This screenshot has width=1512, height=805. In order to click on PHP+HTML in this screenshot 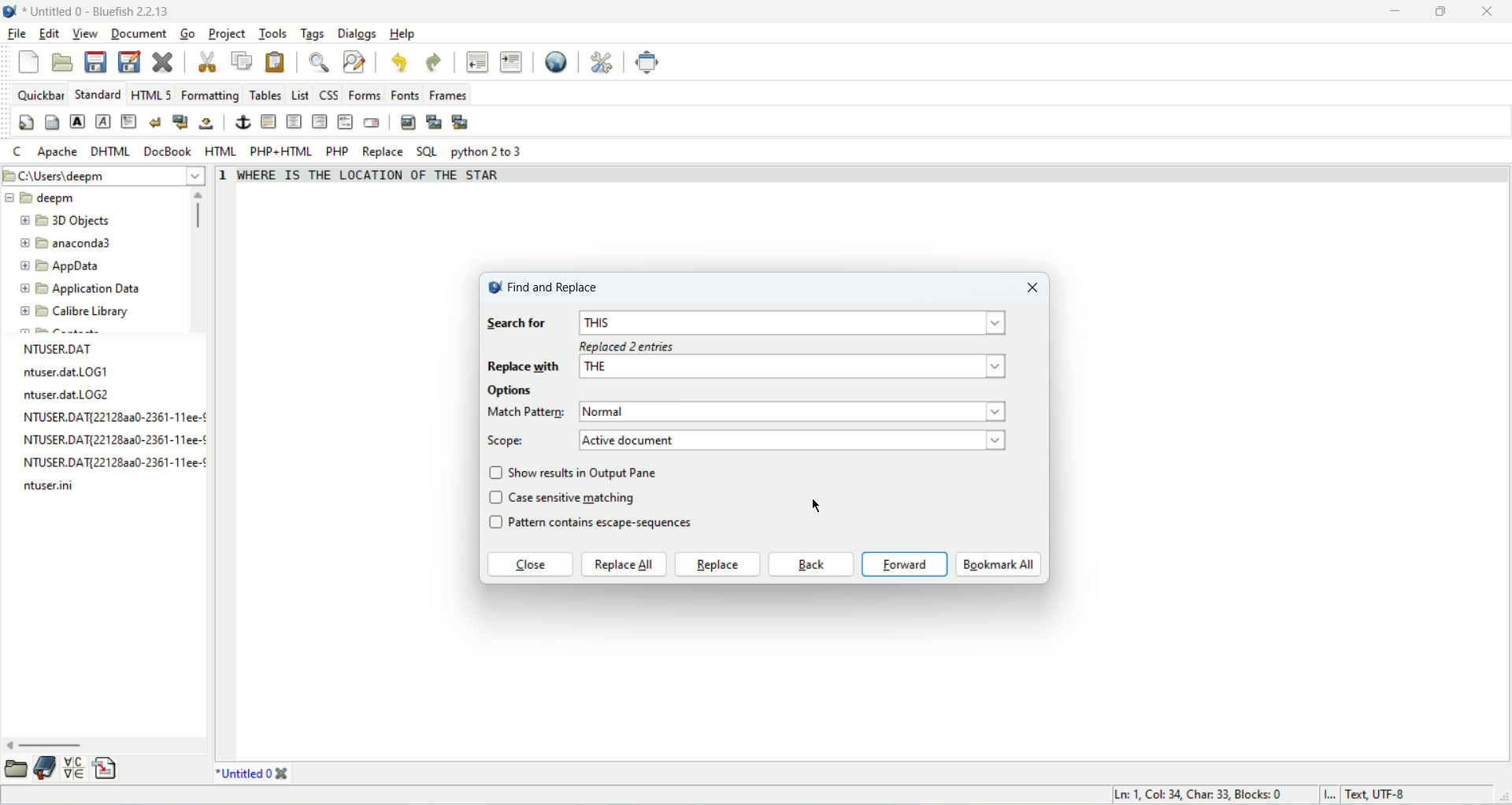, I will do `click(281, 152)`.